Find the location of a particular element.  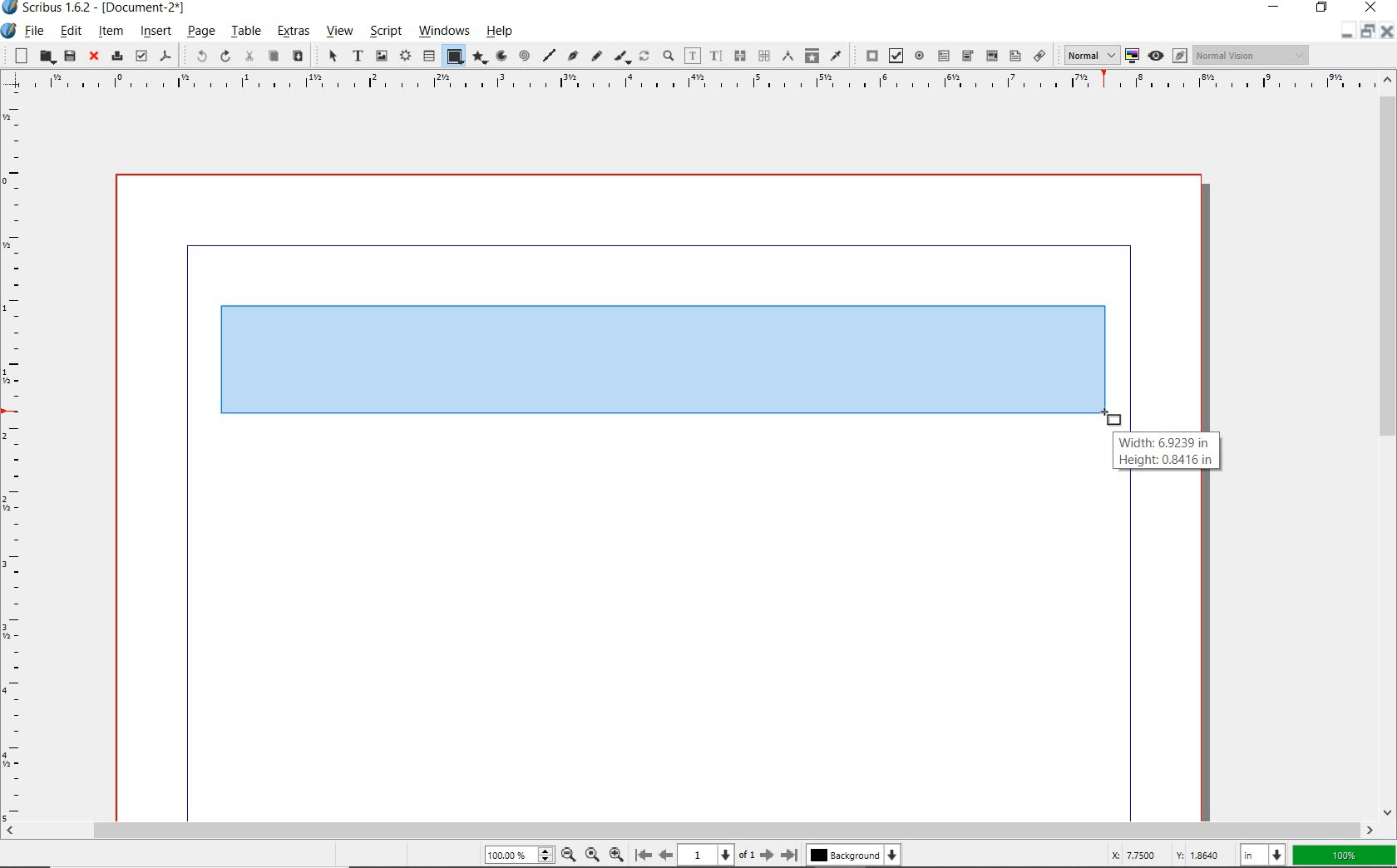

calligraphic line is located at coordinates (623, 57).